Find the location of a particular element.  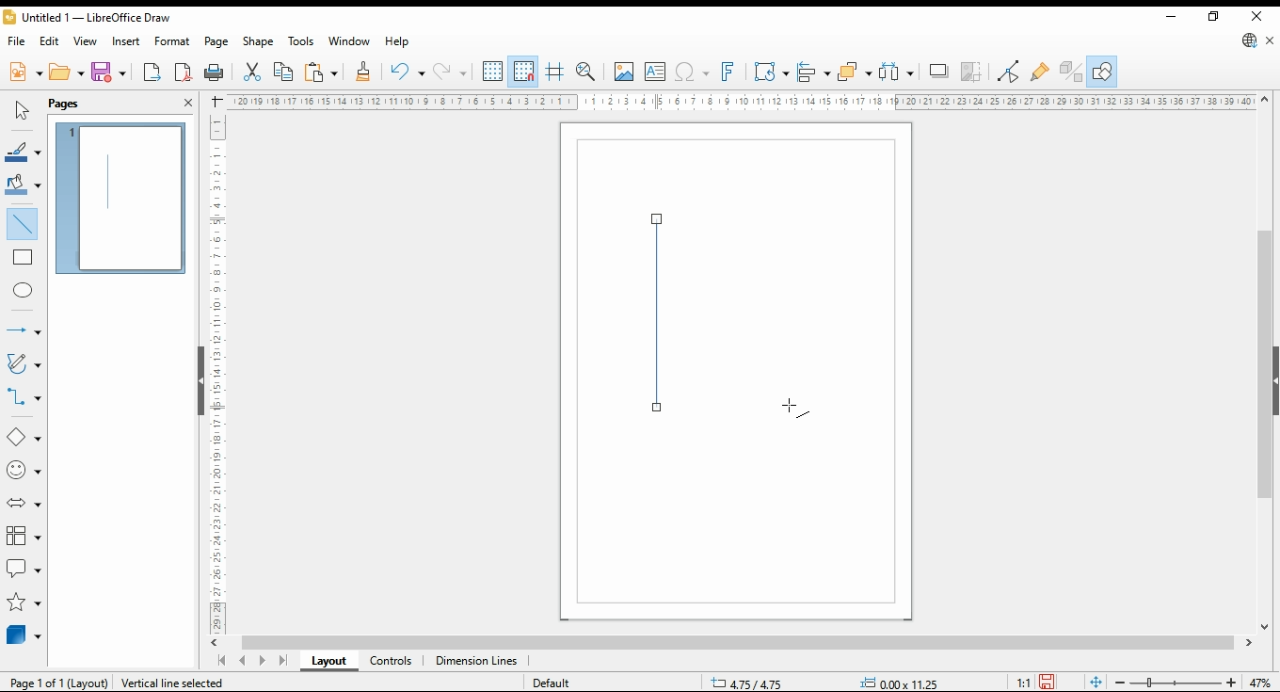

curves and polygons is located at coordinates (25, 363).